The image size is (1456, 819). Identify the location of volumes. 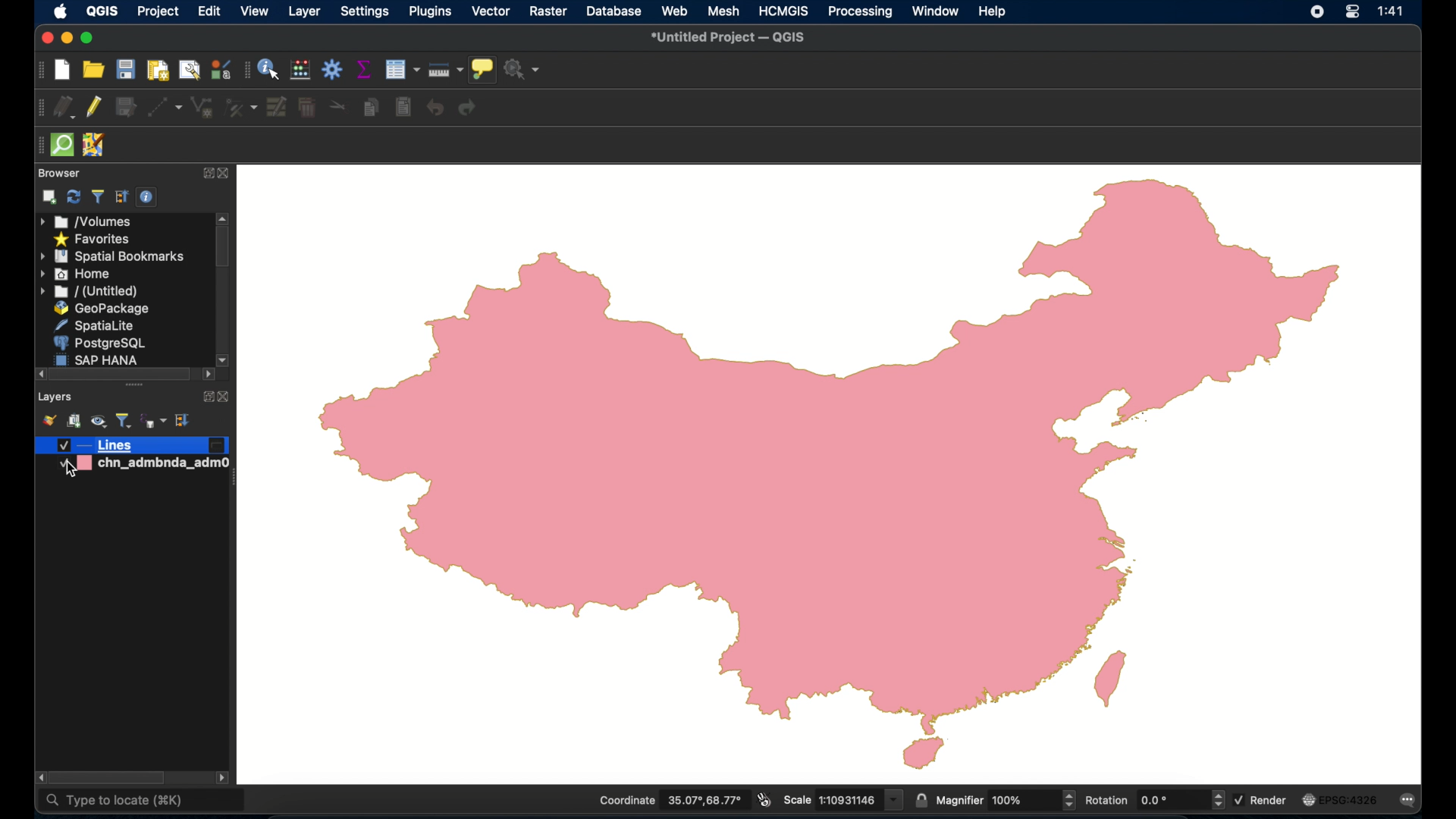
(86, 221).